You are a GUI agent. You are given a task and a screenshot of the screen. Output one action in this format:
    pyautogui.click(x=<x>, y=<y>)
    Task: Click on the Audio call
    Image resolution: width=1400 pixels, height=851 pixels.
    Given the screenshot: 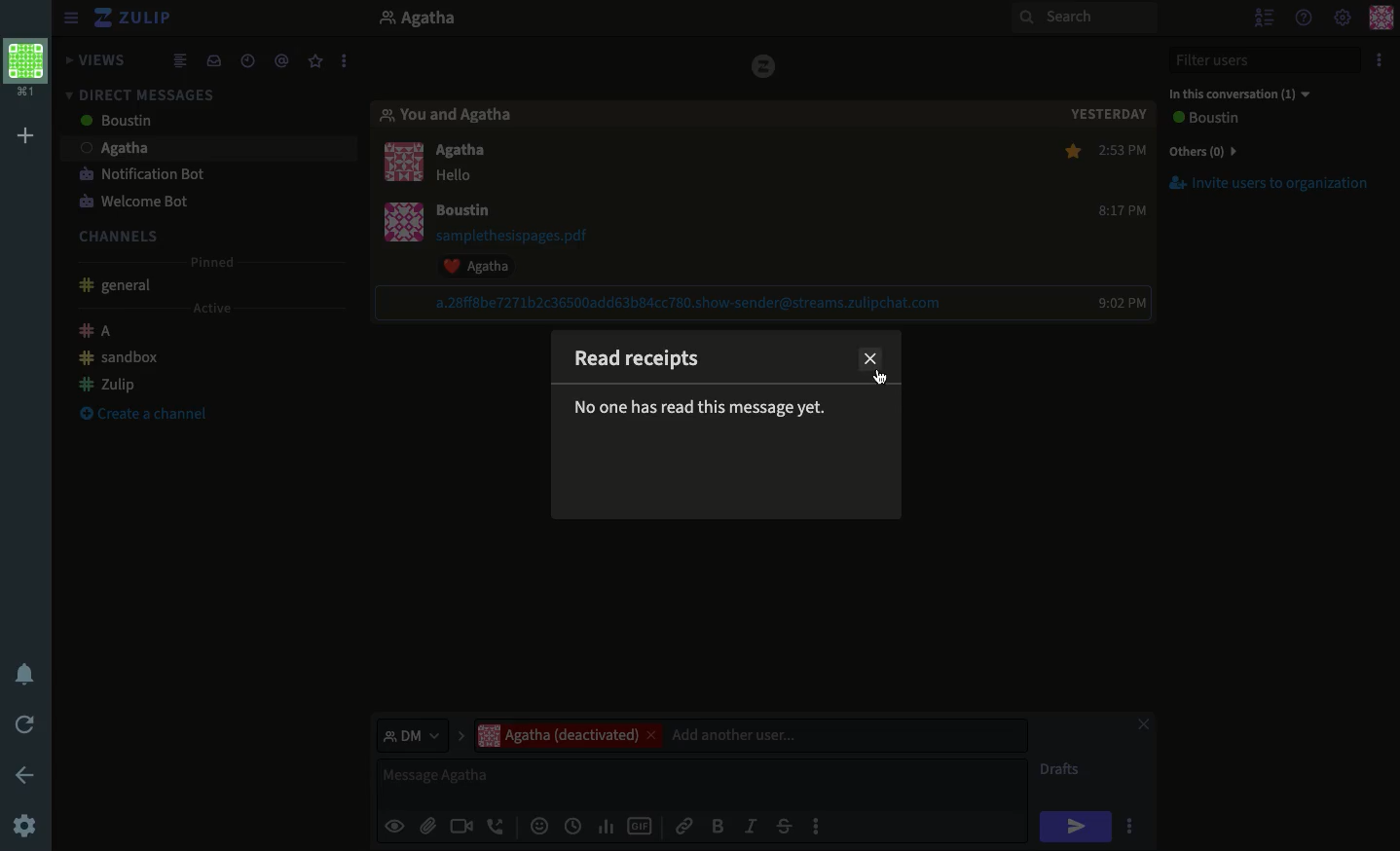 What is the action you would take?
    pyautogui.click(x=497, y=828)
    